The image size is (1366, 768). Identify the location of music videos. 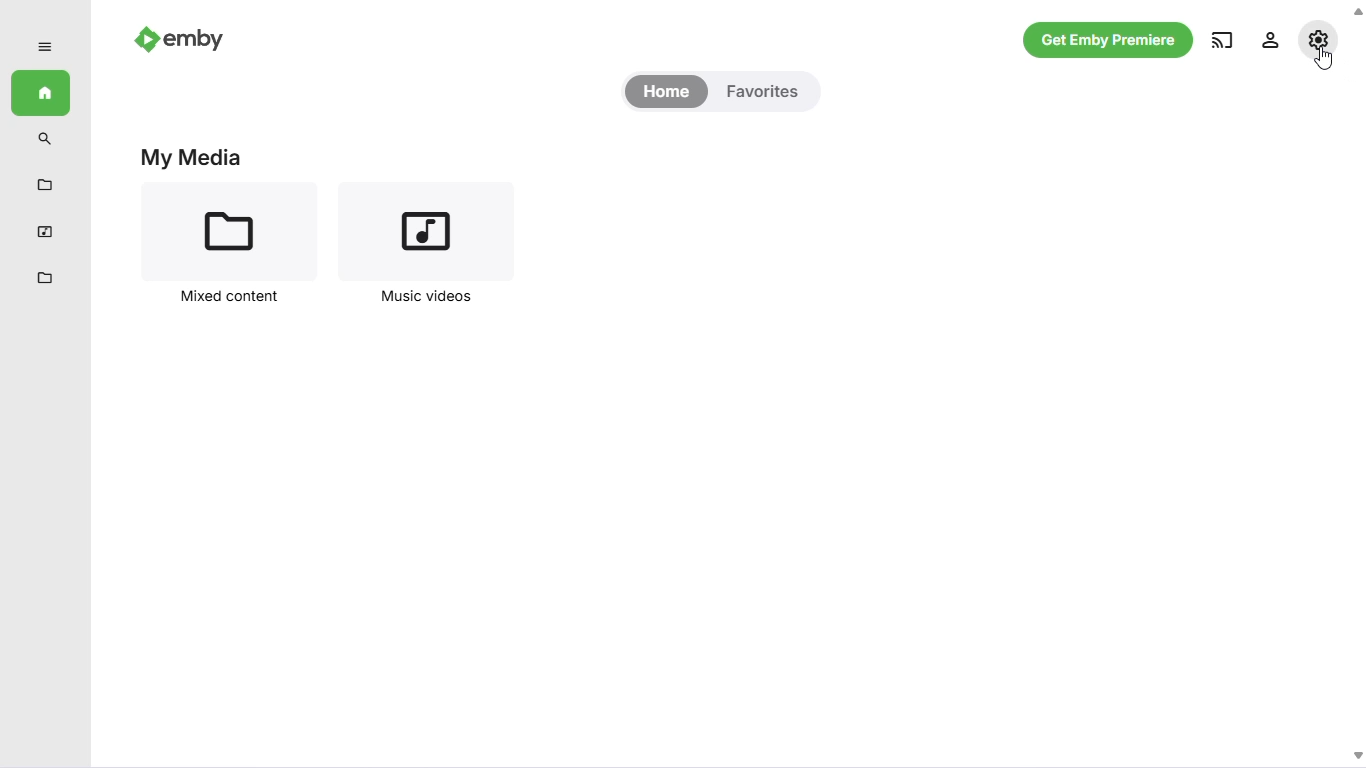
(46, 232).